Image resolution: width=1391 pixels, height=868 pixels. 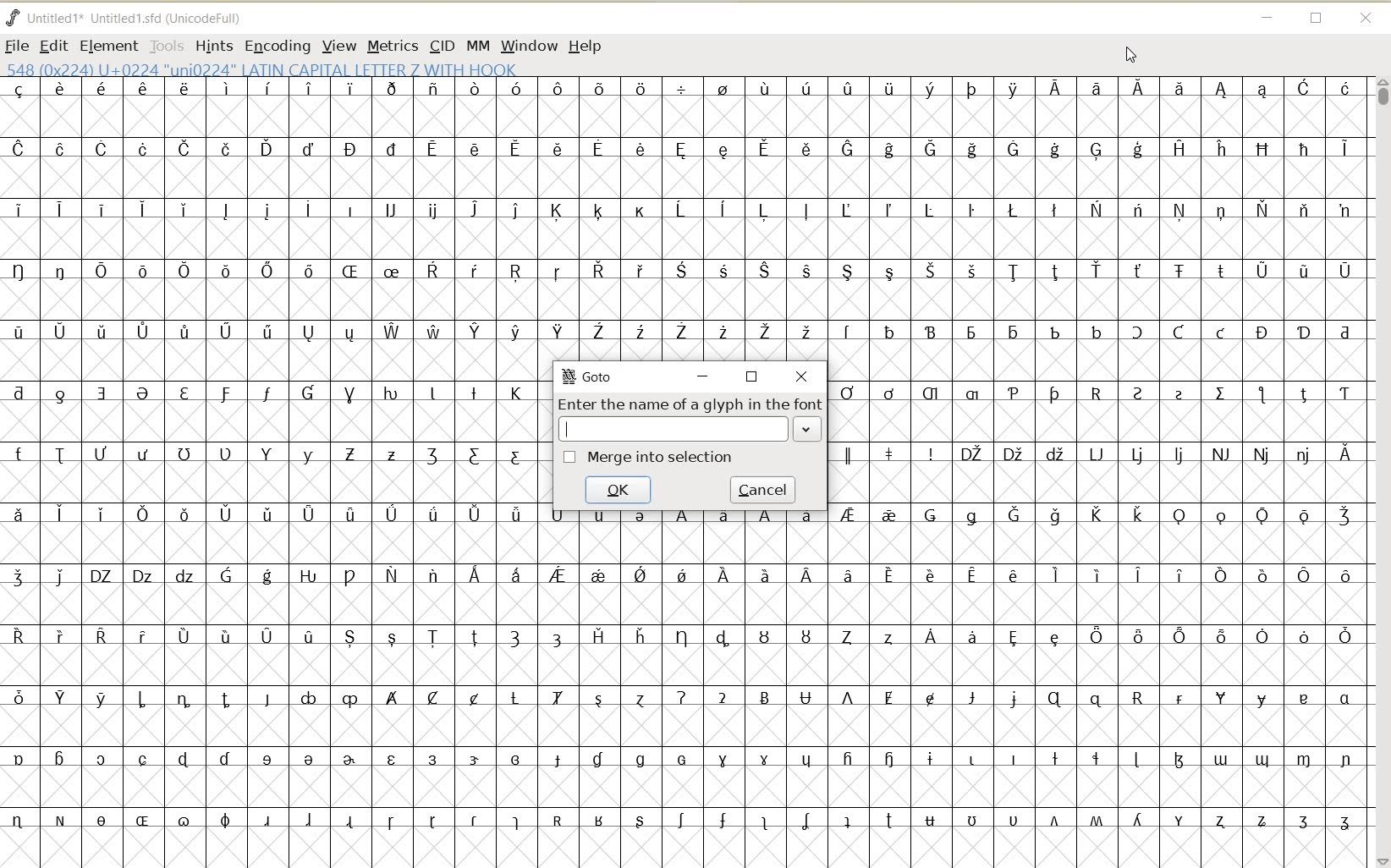 I want to click on VIEW, so click(x=336, y=45).